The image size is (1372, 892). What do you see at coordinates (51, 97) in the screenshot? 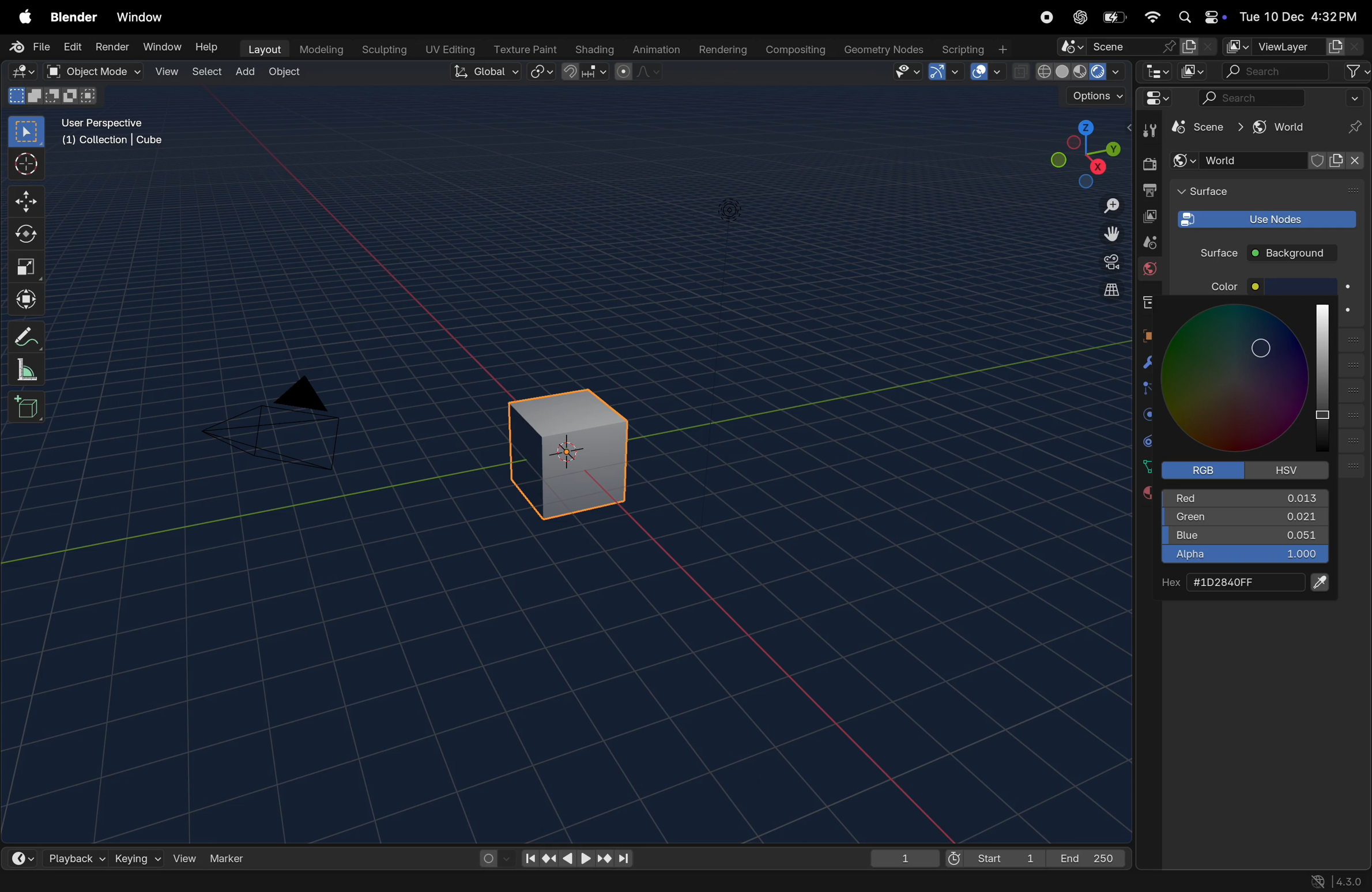
I see `mode` at bounding box center [51, 97].